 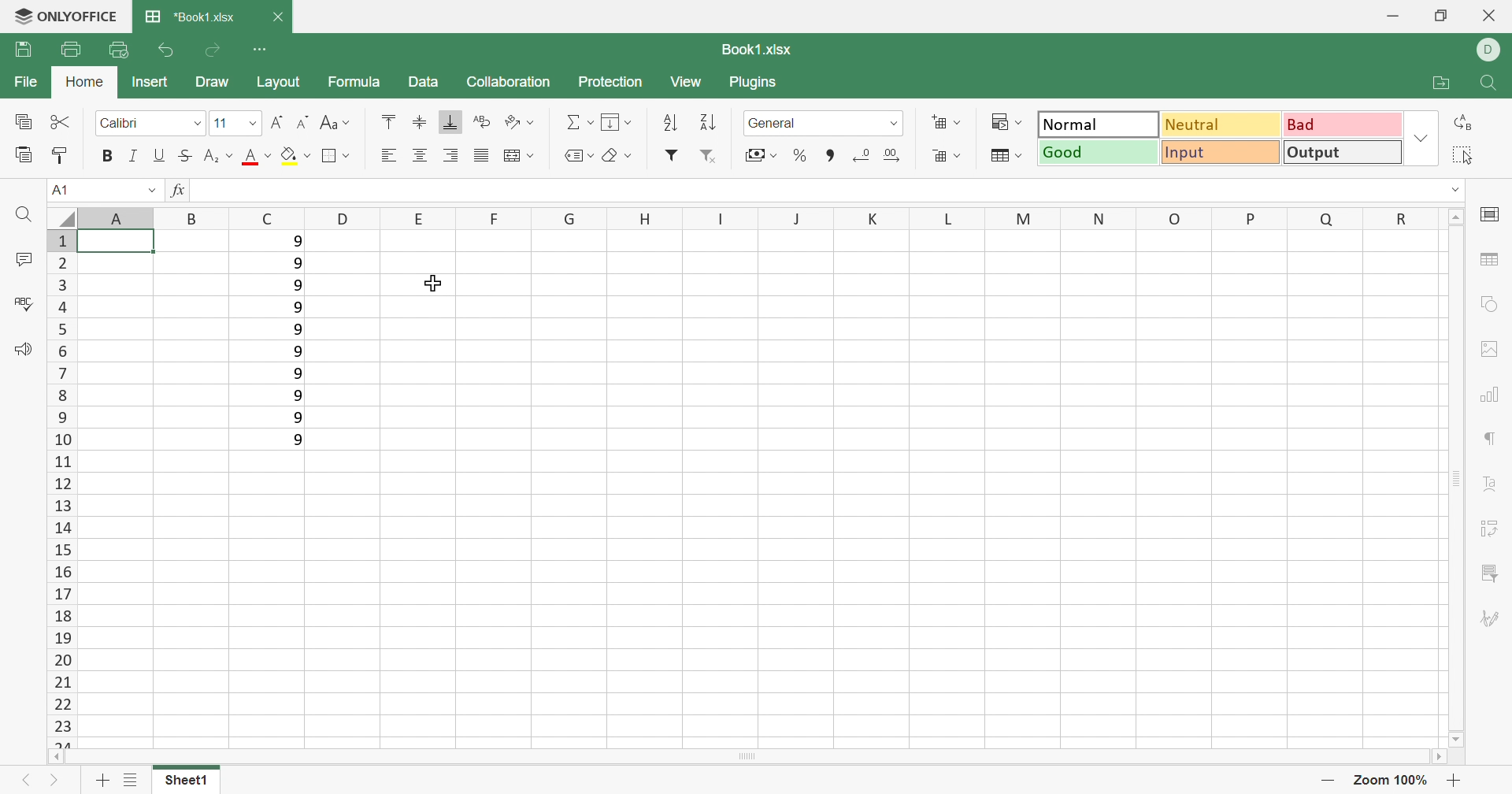 What do you see at coordinates (1491, 15) in the screenshot?
I see `Close` at bounding box center [1491, 15].